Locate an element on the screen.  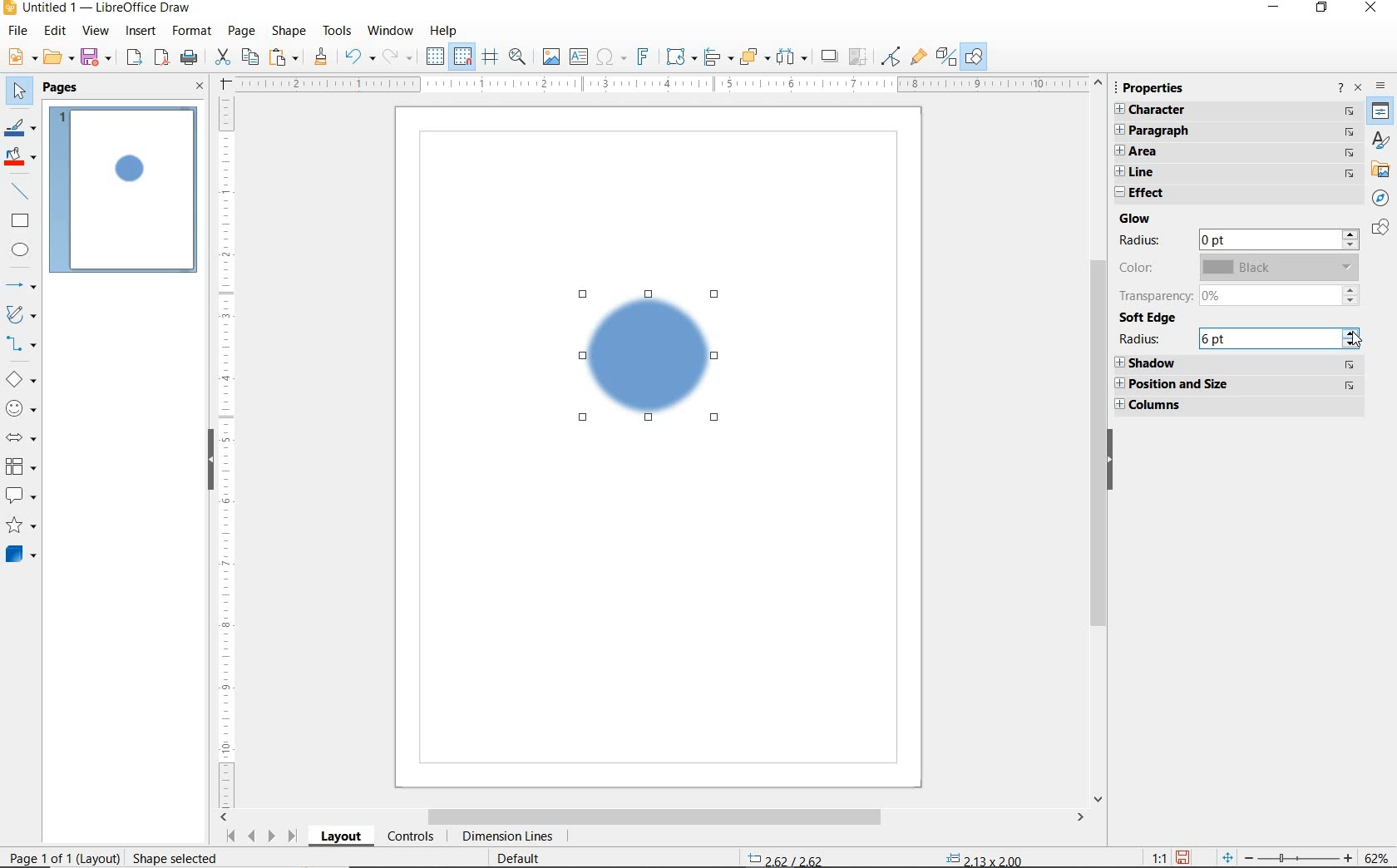
Blue circle is located at coordinates (653, 362).